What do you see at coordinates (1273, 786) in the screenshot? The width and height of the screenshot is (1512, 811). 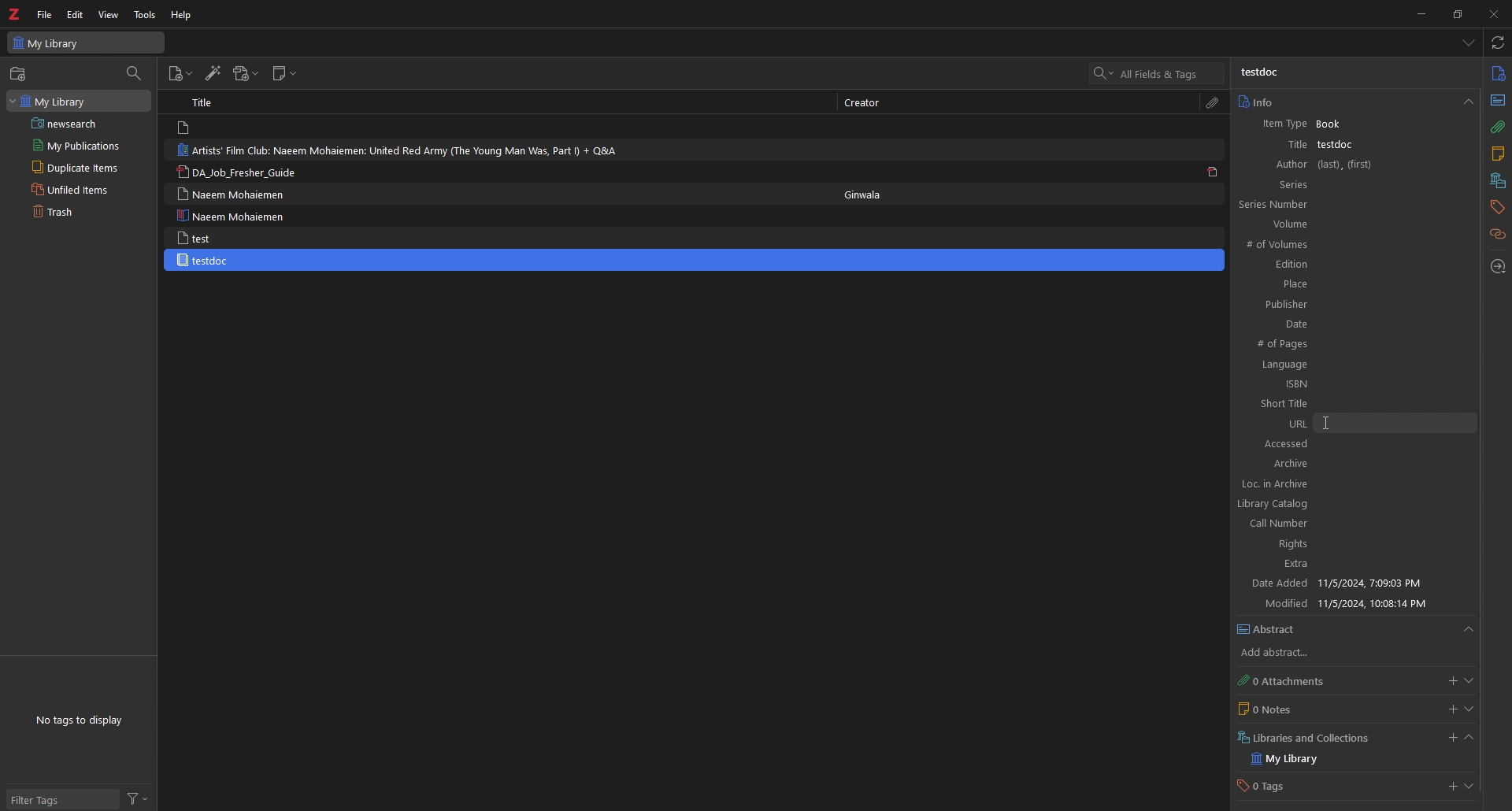 I see `0 Tags` at bounding box center [1273, 786].